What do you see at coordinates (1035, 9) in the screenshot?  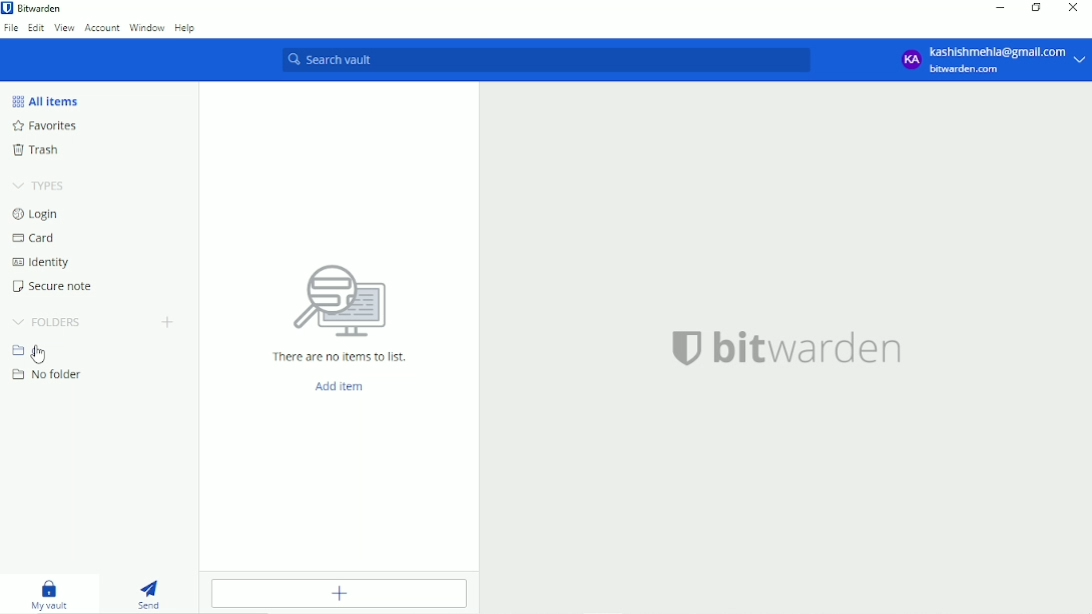 I see `Restore down` at bounding box center [1035, 9].